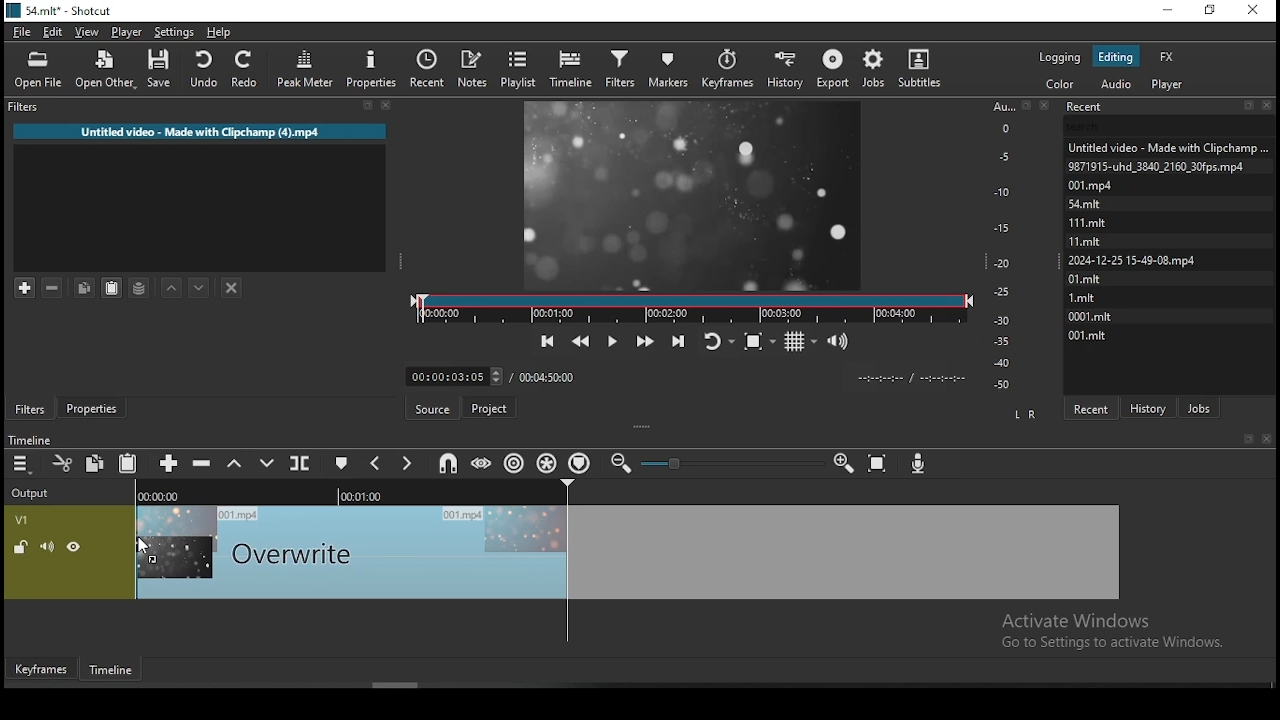 This screenshot has height=720, width=1280. I want to click on files, so click(1087, 185).